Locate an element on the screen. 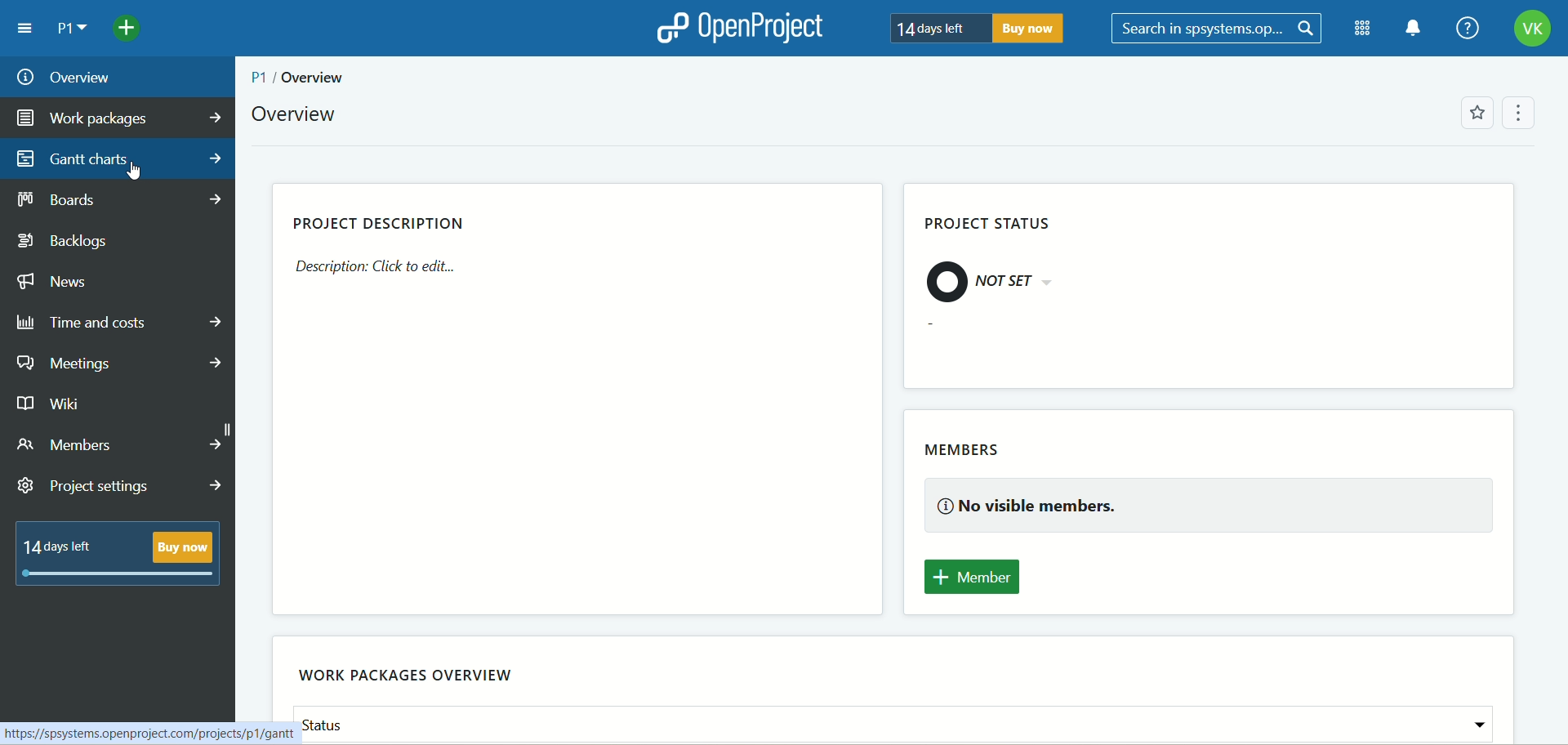 The width and height of the screenshot is (1568, 745). work packages is located at coordinates (118, 119).